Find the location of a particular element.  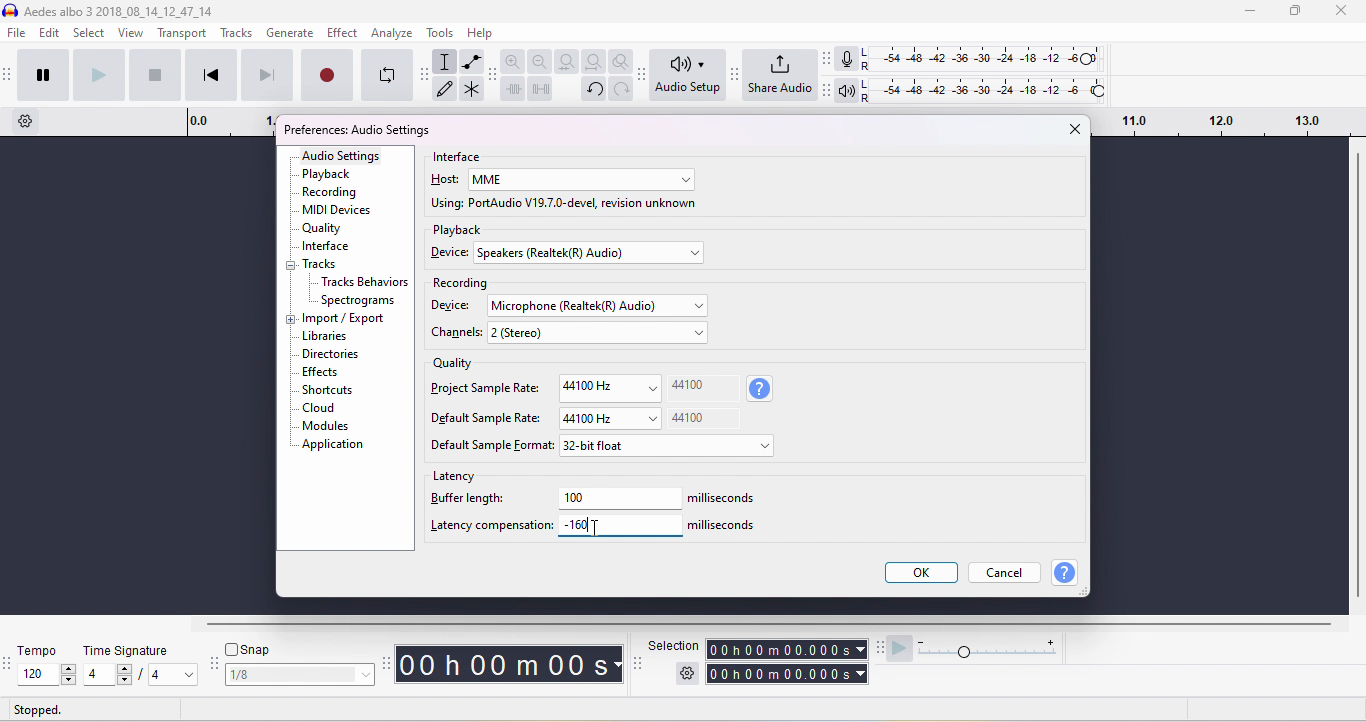

aedes albo 3 3 _2018_08_14_12_47_14 is located at coordinates (109, 11).